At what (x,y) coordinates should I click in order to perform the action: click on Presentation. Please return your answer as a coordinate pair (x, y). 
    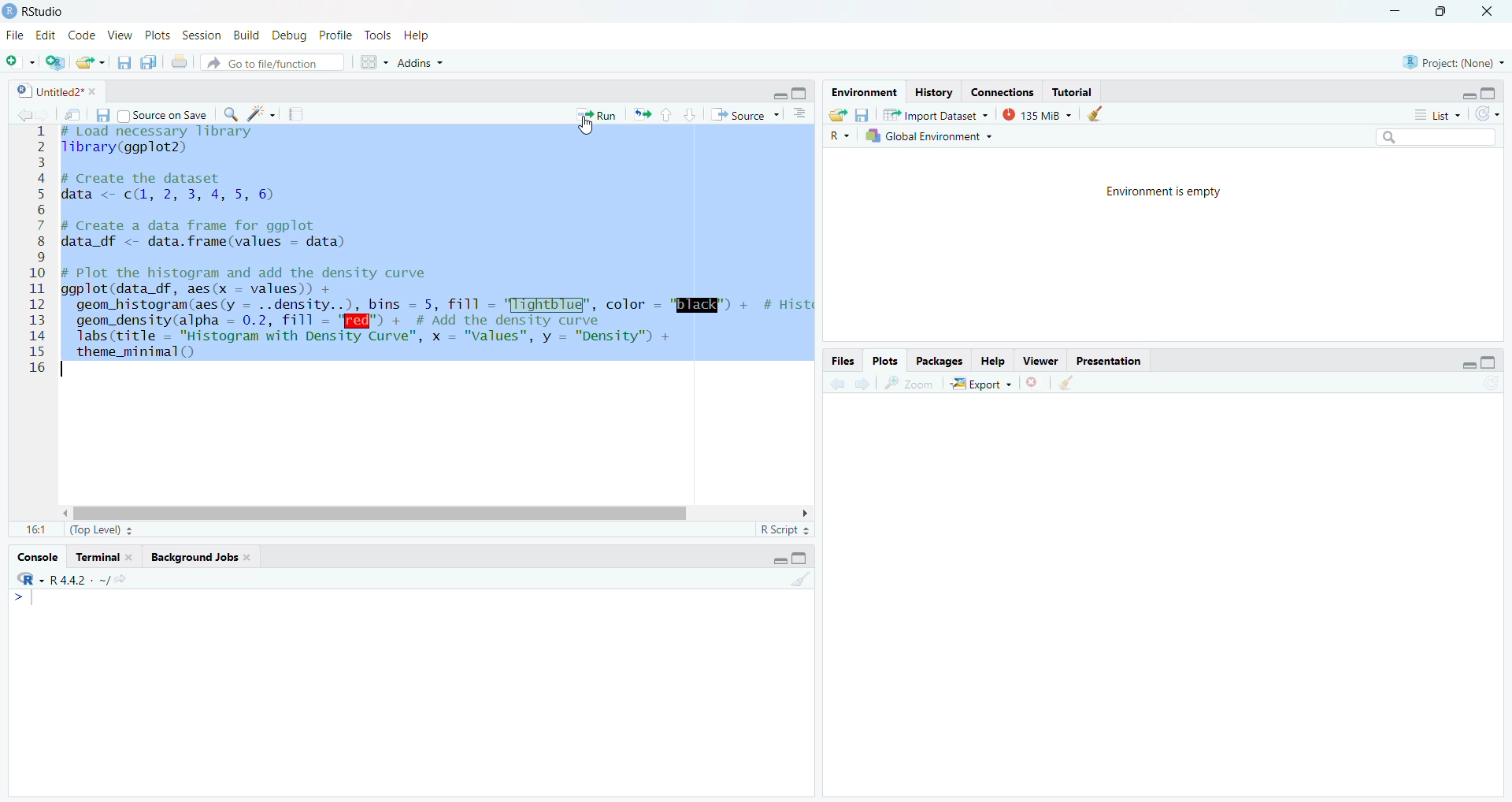
    Looking at the image, I should click on (1110, 360).